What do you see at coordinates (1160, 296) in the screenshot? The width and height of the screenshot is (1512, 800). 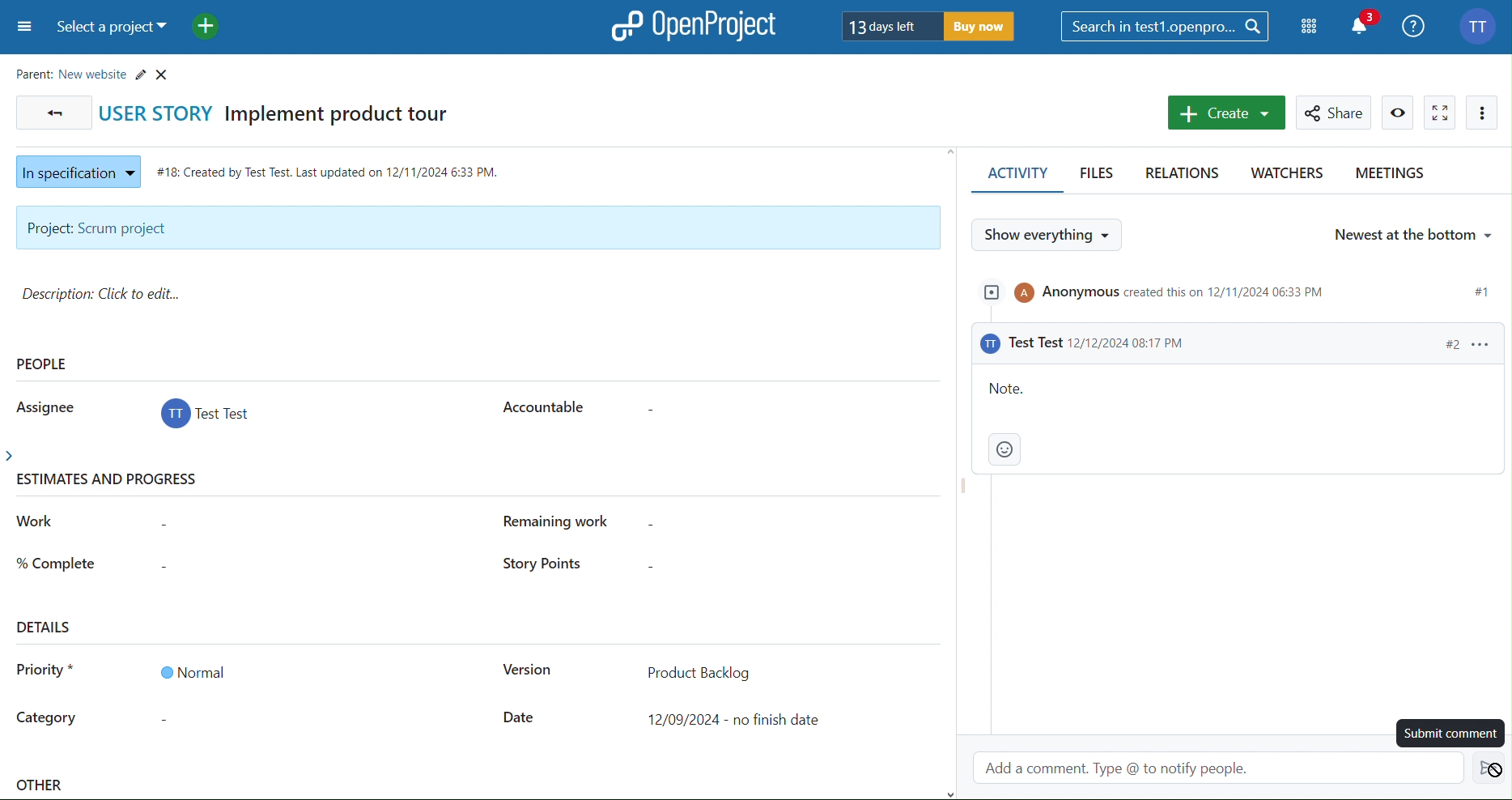 I see `5) @) Anonymous created this on 12/11/2024 0633 PM` at bounding box center [1160, 296].